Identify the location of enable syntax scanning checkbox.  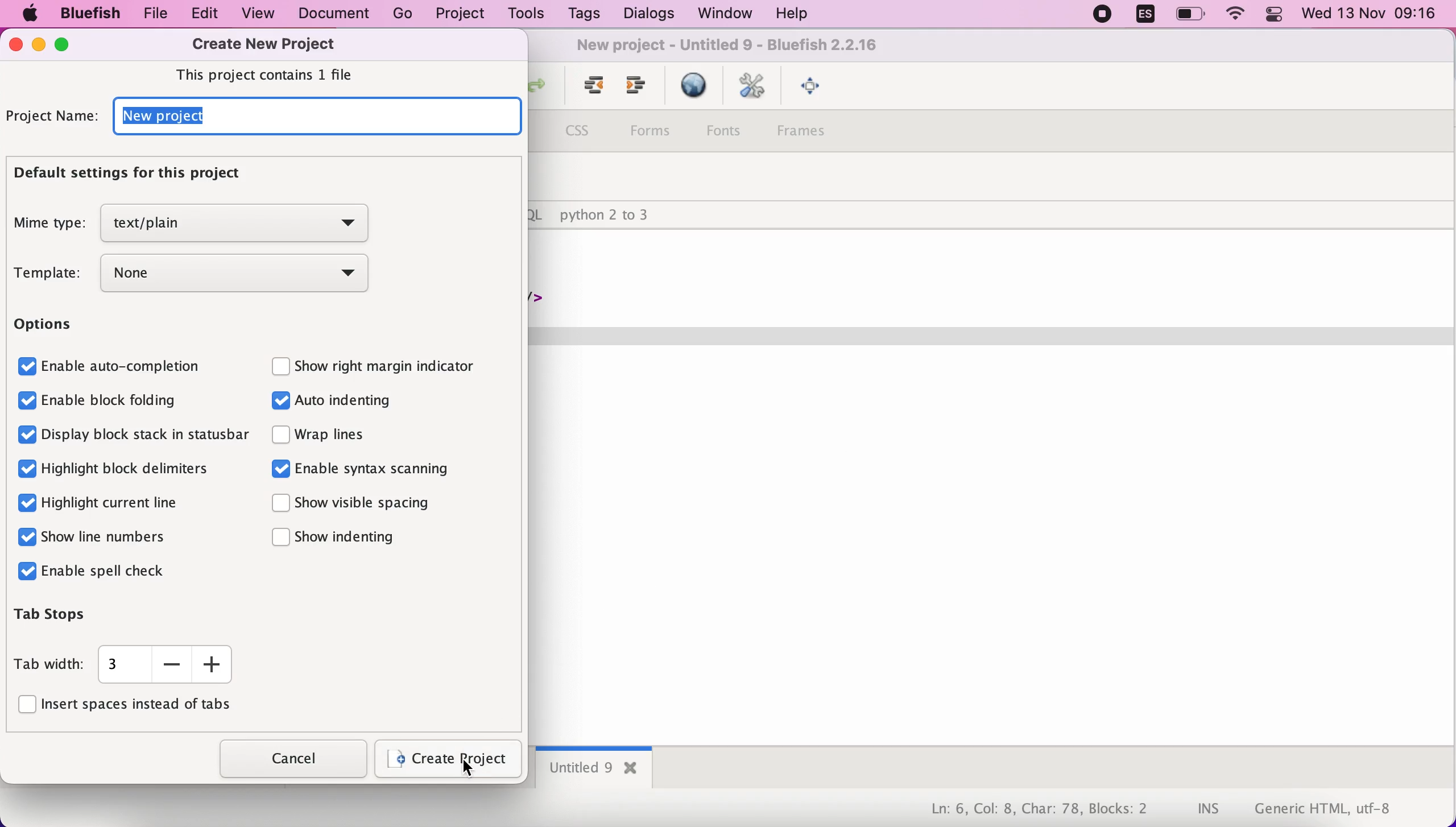
(368, 471).